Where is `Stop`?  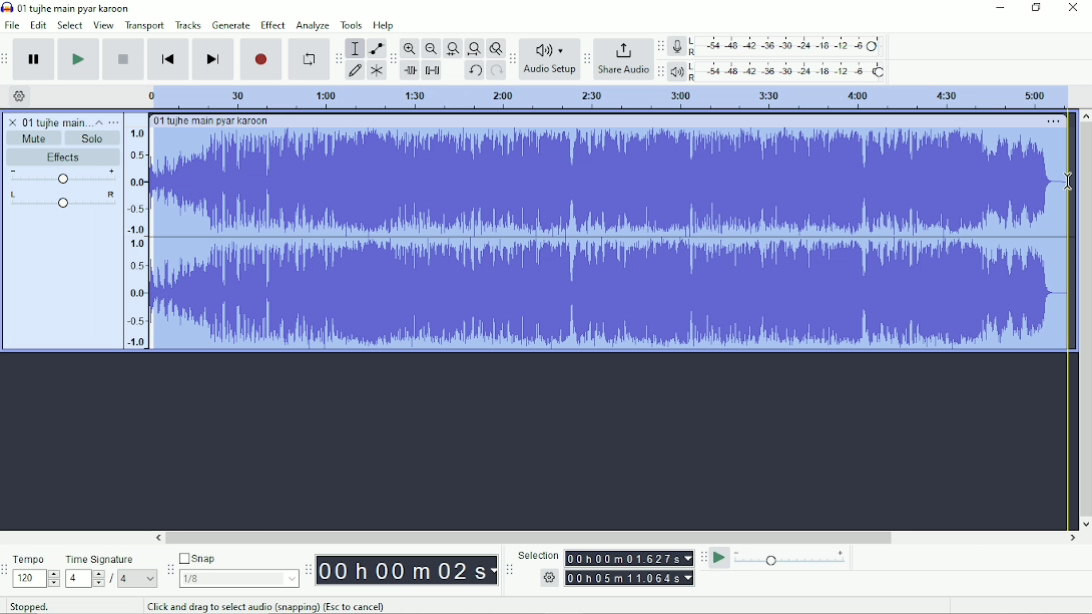
Stop is located at coordinates (124, 60).